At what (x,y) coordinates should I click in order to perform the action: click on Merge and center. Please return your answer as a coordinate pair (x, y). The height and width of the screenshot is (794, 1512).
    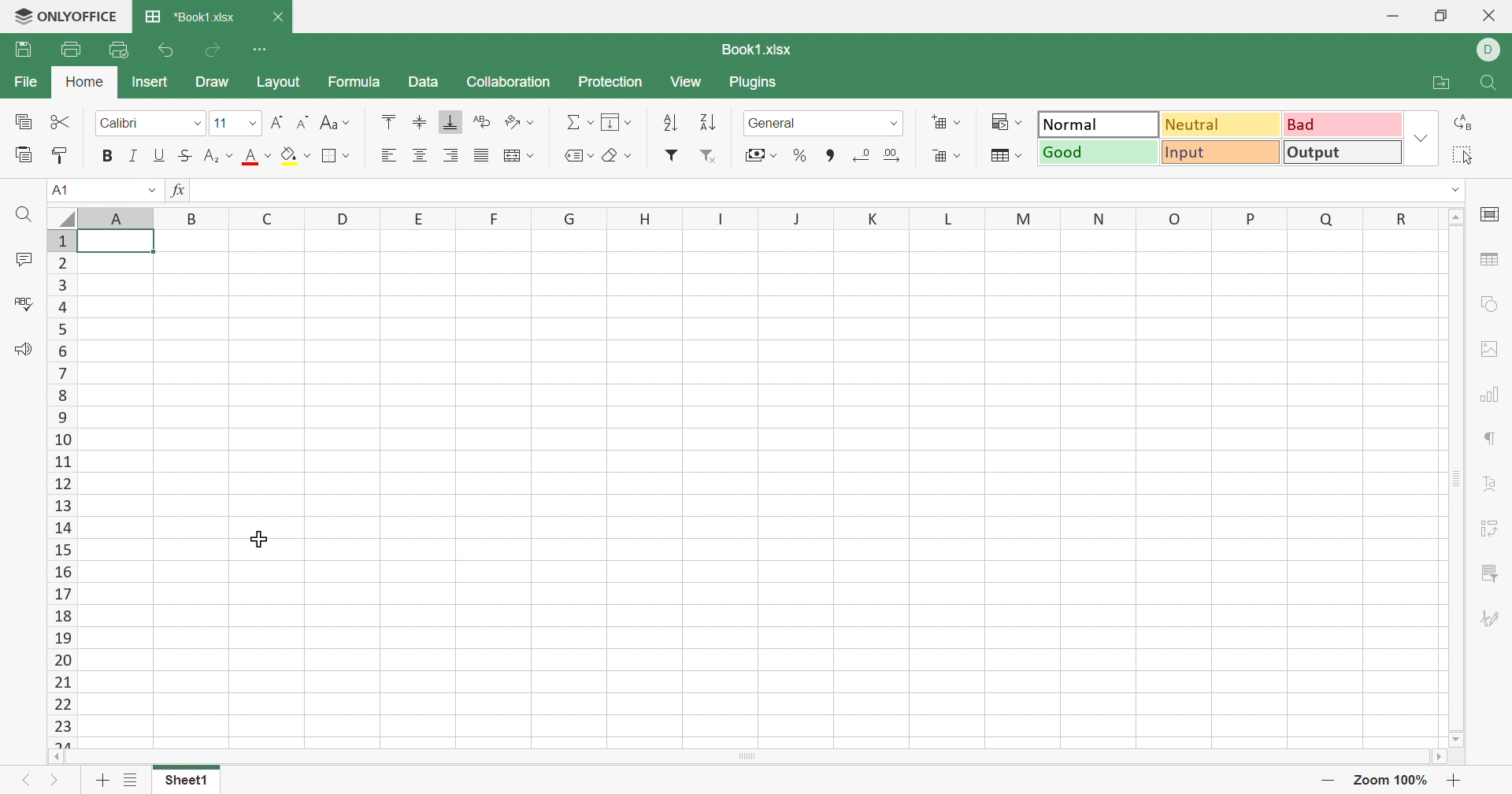
    Looking at the image, I should click on (514, 155).